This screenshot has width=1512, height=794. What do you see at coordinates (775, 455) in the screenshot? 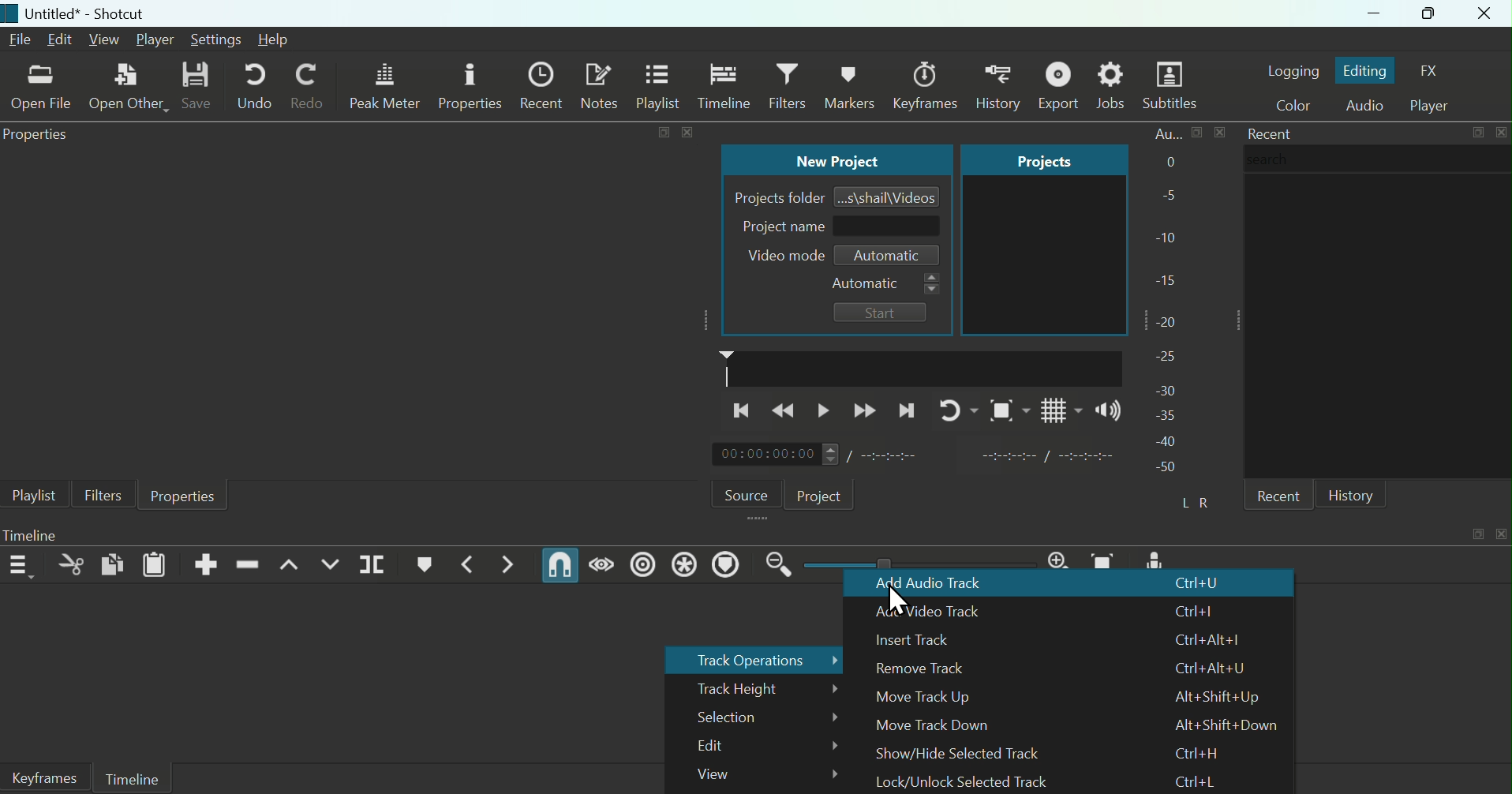
I see `00:00:00:00` at bounding box center [775, 455].